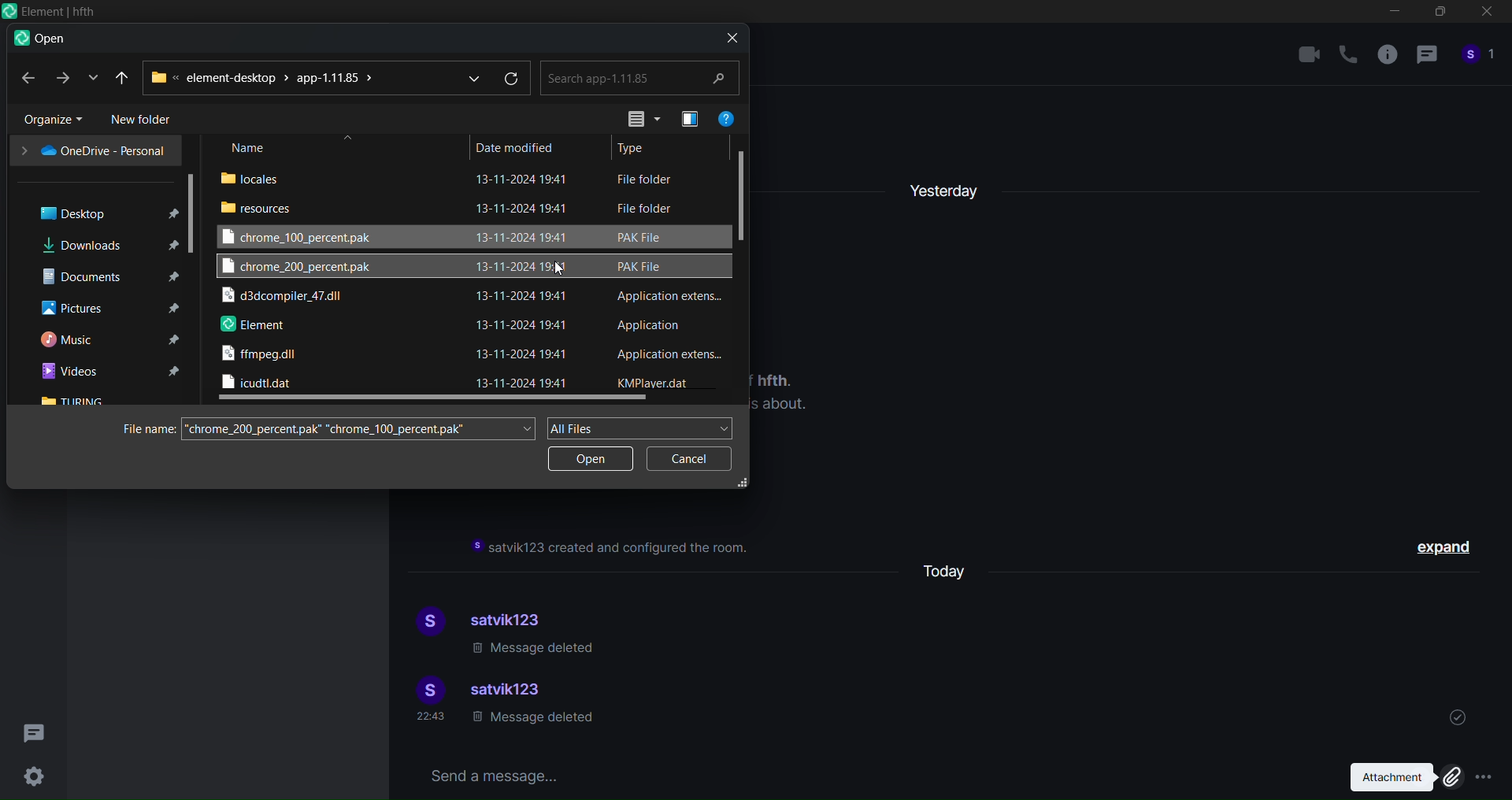  What do you see at coordinates (362, 426) in the screenshot?
I see `search file name` at bounding box center [362, 426].